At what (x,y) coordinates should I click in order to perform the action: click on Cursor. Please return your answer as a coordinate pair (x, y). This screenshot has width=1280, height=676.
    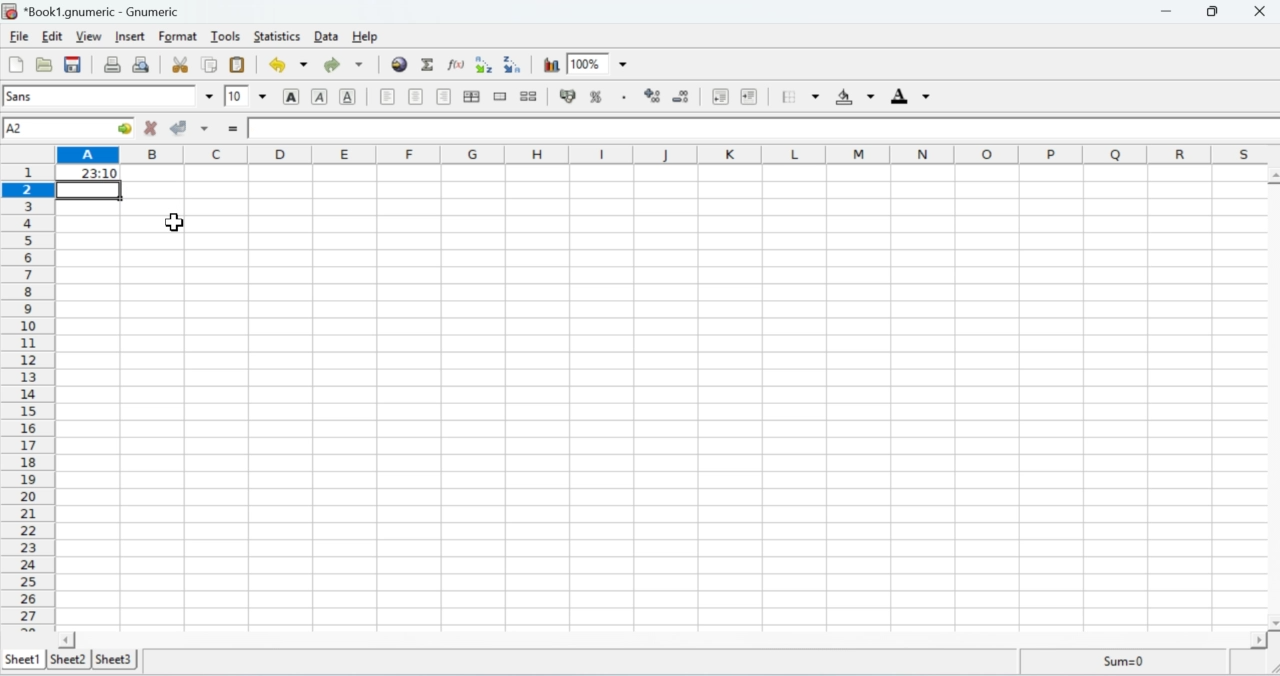
    Looking at the image, I should click on (178, 223).